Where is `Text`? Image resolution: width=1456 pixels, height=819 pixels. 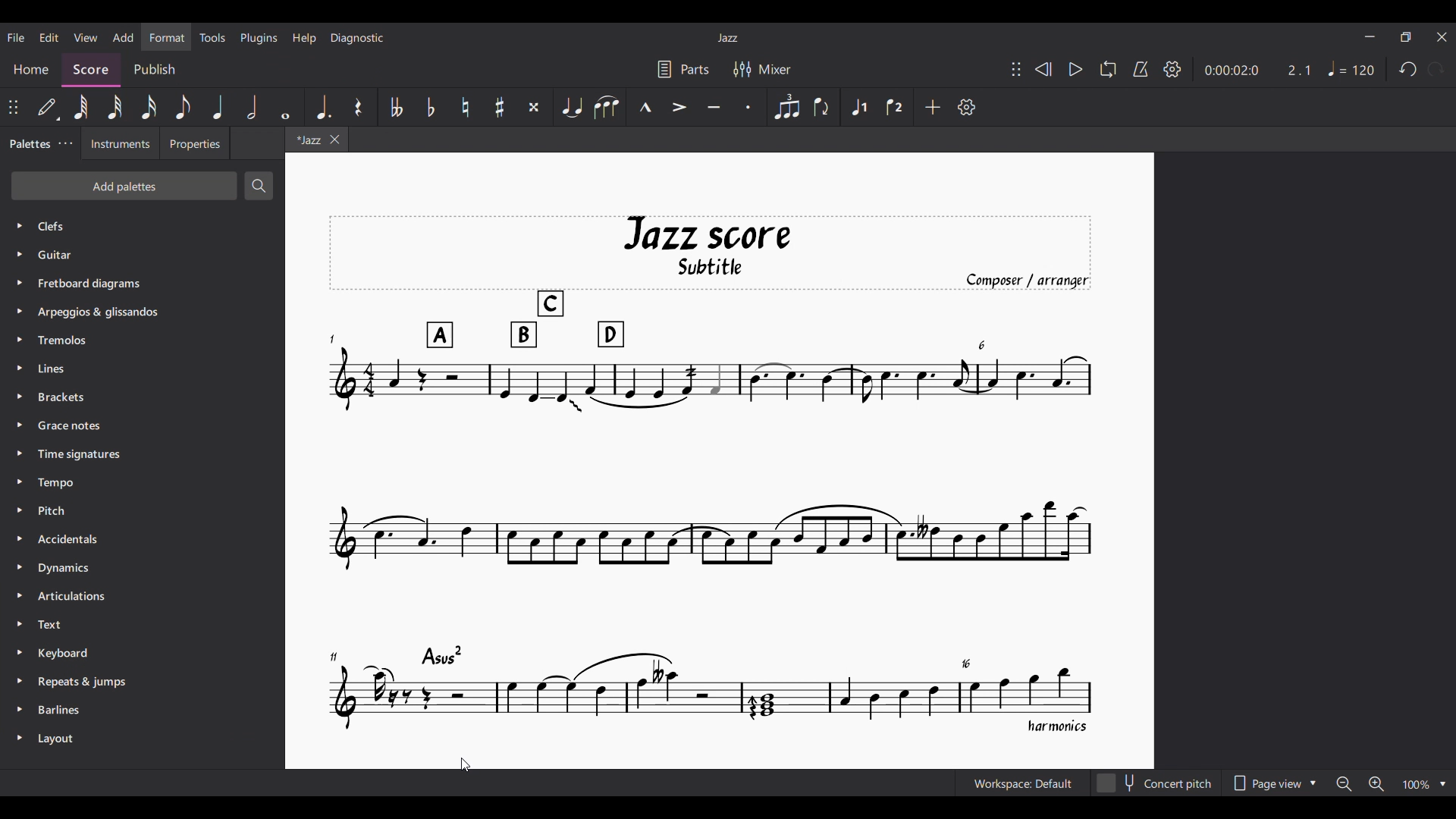
Text is located at coordinates (52, 626).